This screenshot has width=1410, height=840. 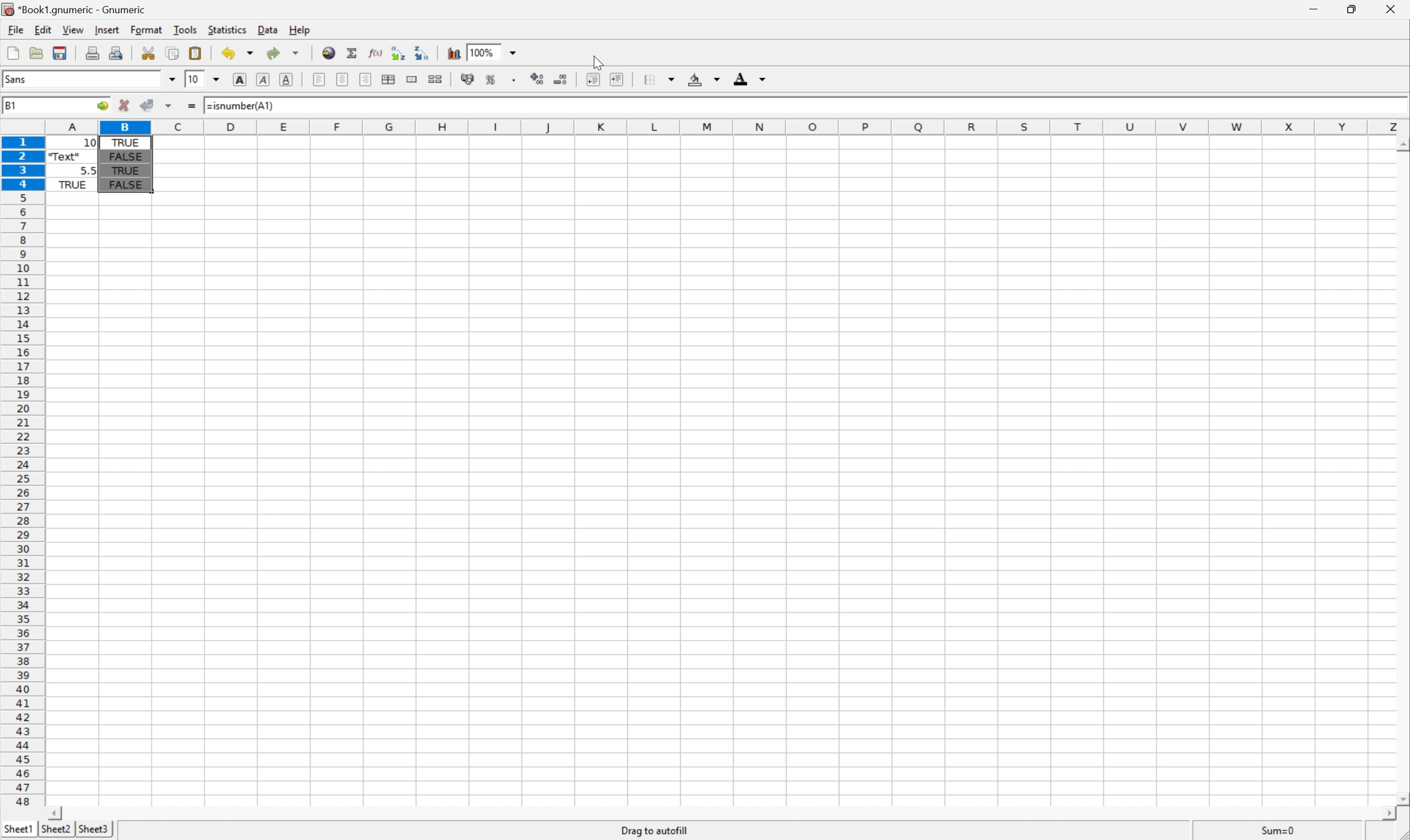 I want to click on Format selection as percentage, so click(x=490, y=79).